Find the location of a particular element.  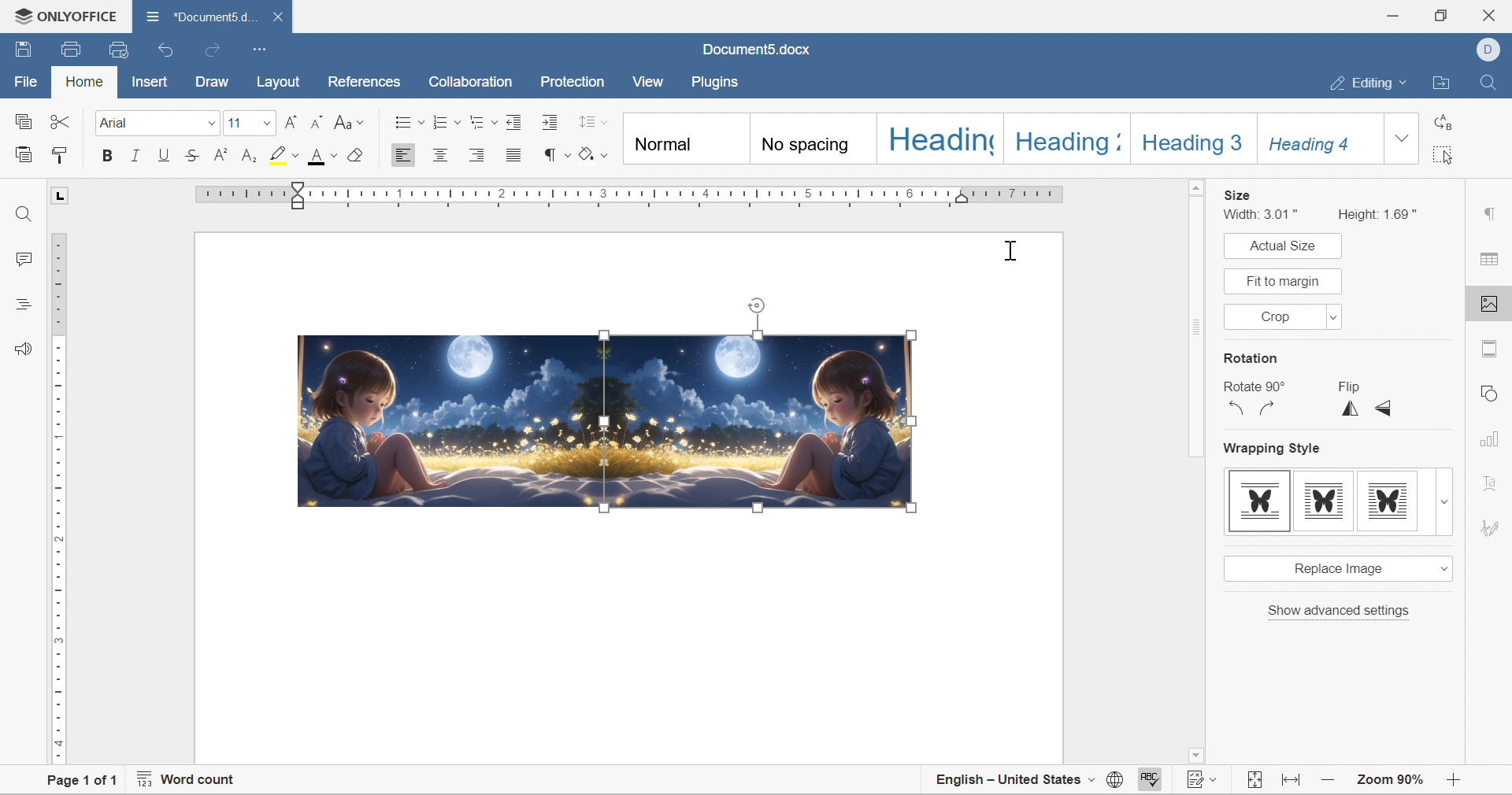

italic is located at coordinates (135, 154).